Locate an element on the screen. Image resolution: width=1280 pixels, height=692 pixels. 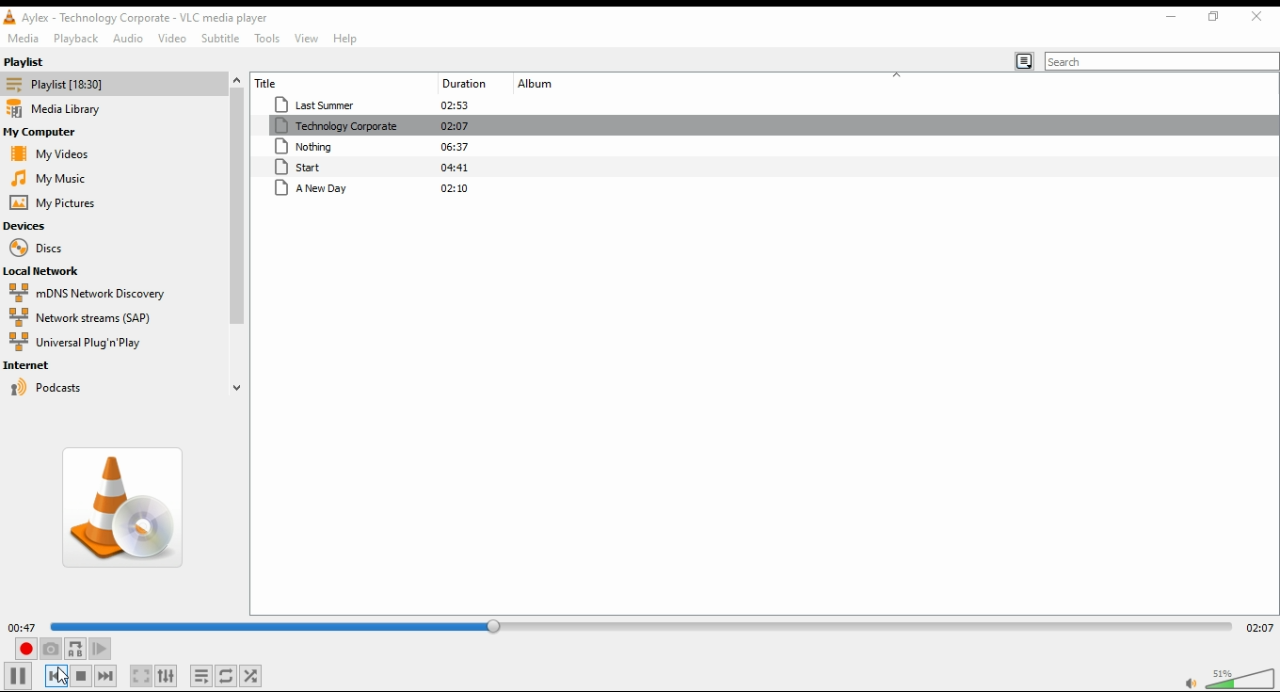
02:07 is located at coordinates (456, 126).